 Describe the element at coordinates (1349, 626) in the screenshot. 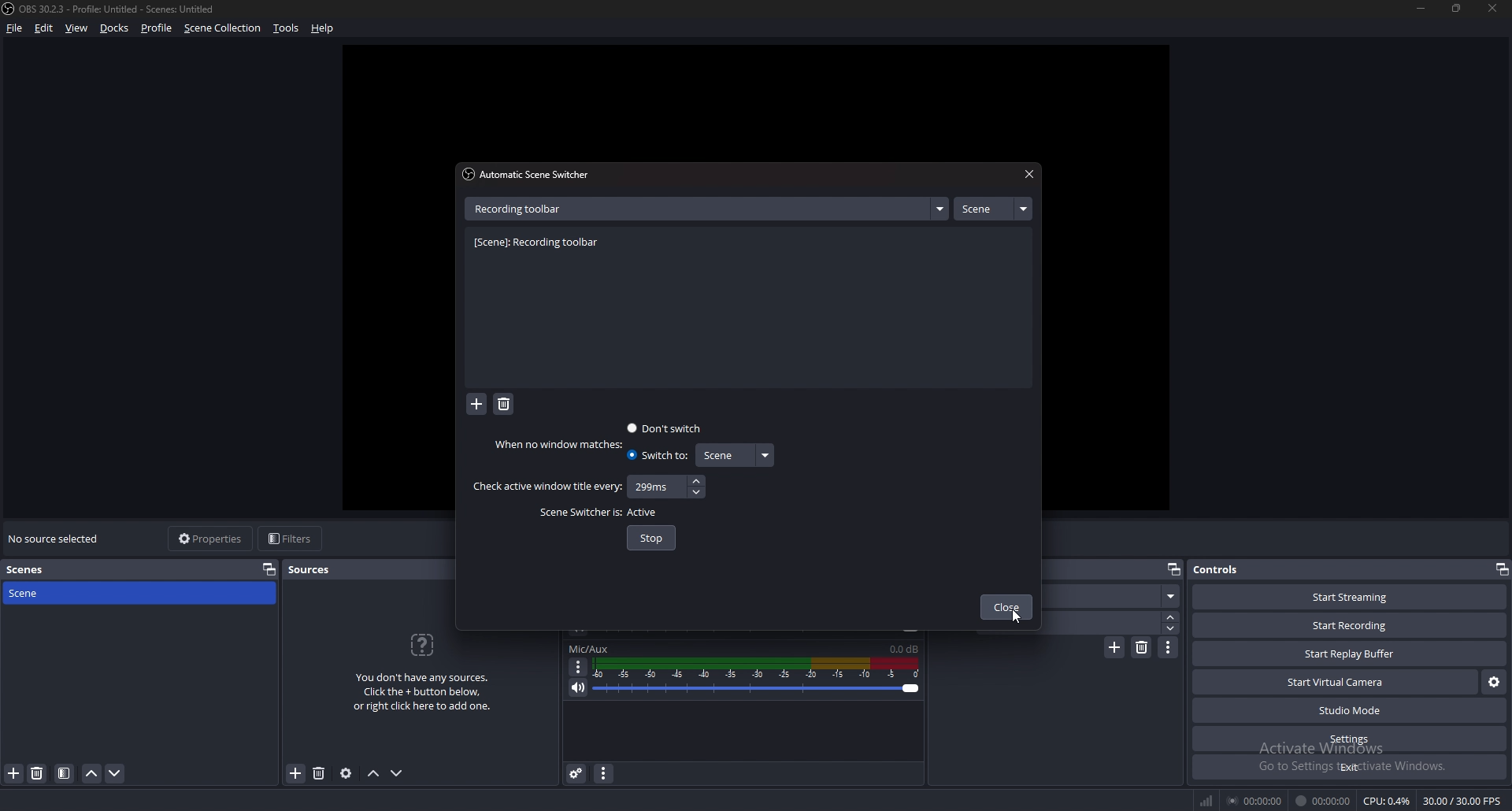

I see `start recording` at that location.